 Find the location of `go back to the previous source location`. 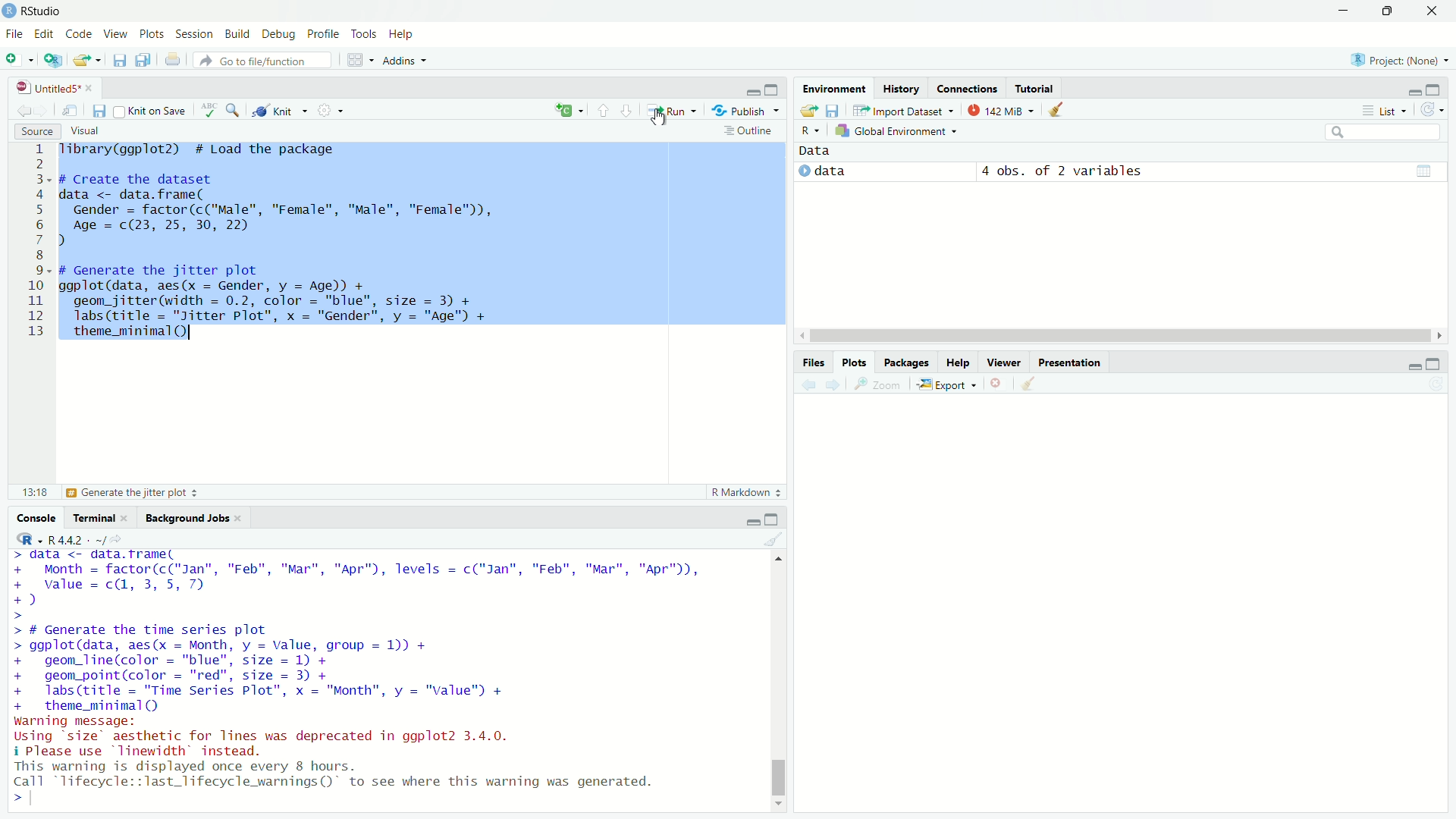

go back to the previous source location is located at coordinates (17, 108).